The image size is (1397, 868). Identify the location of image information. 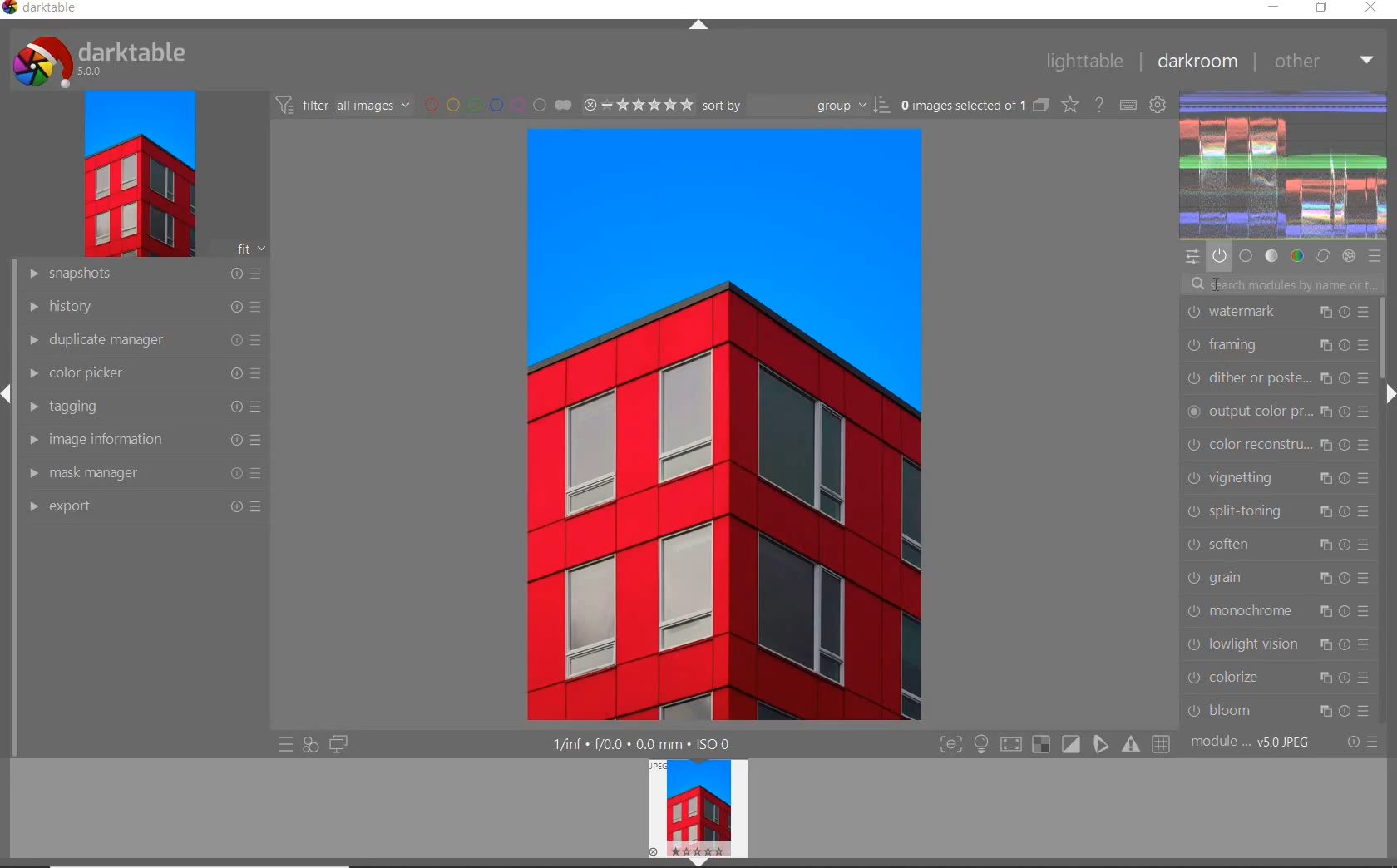
(142, 441).